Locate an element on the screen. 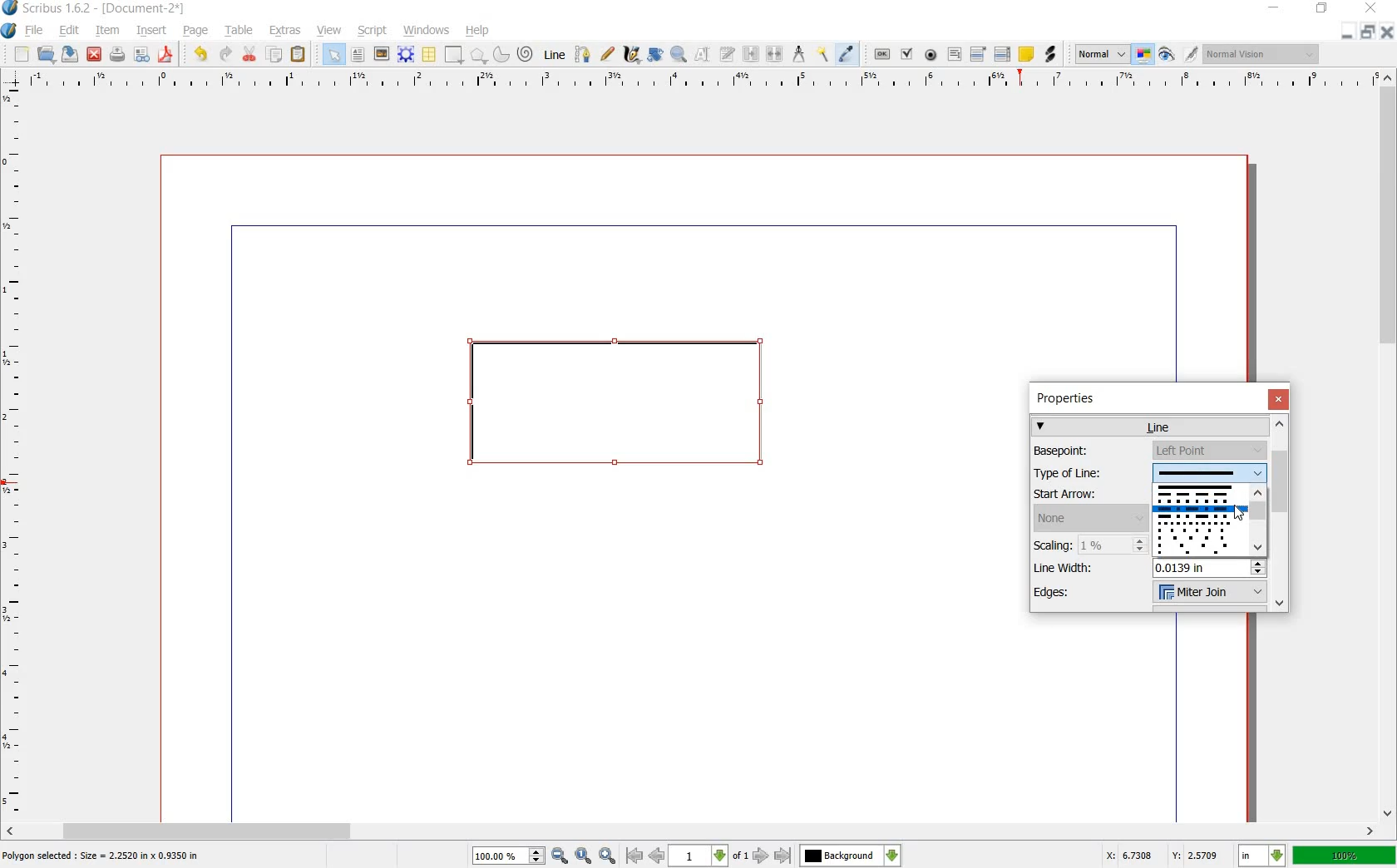 This screenshot has width=1397, height=868. PAGE is located at coordinates (195, 32).